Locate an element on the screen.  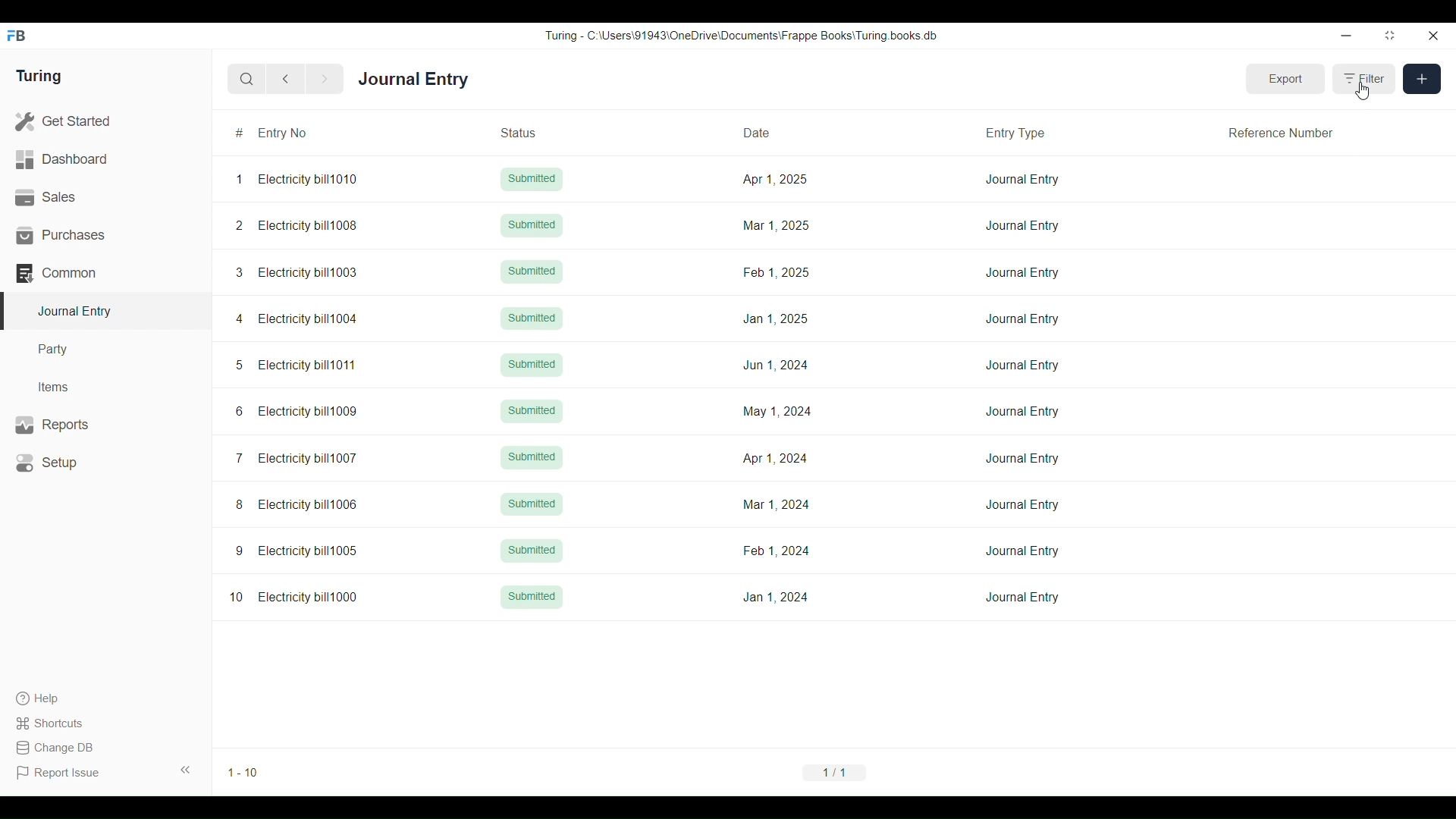
Party is located at coordinates (105, 350).